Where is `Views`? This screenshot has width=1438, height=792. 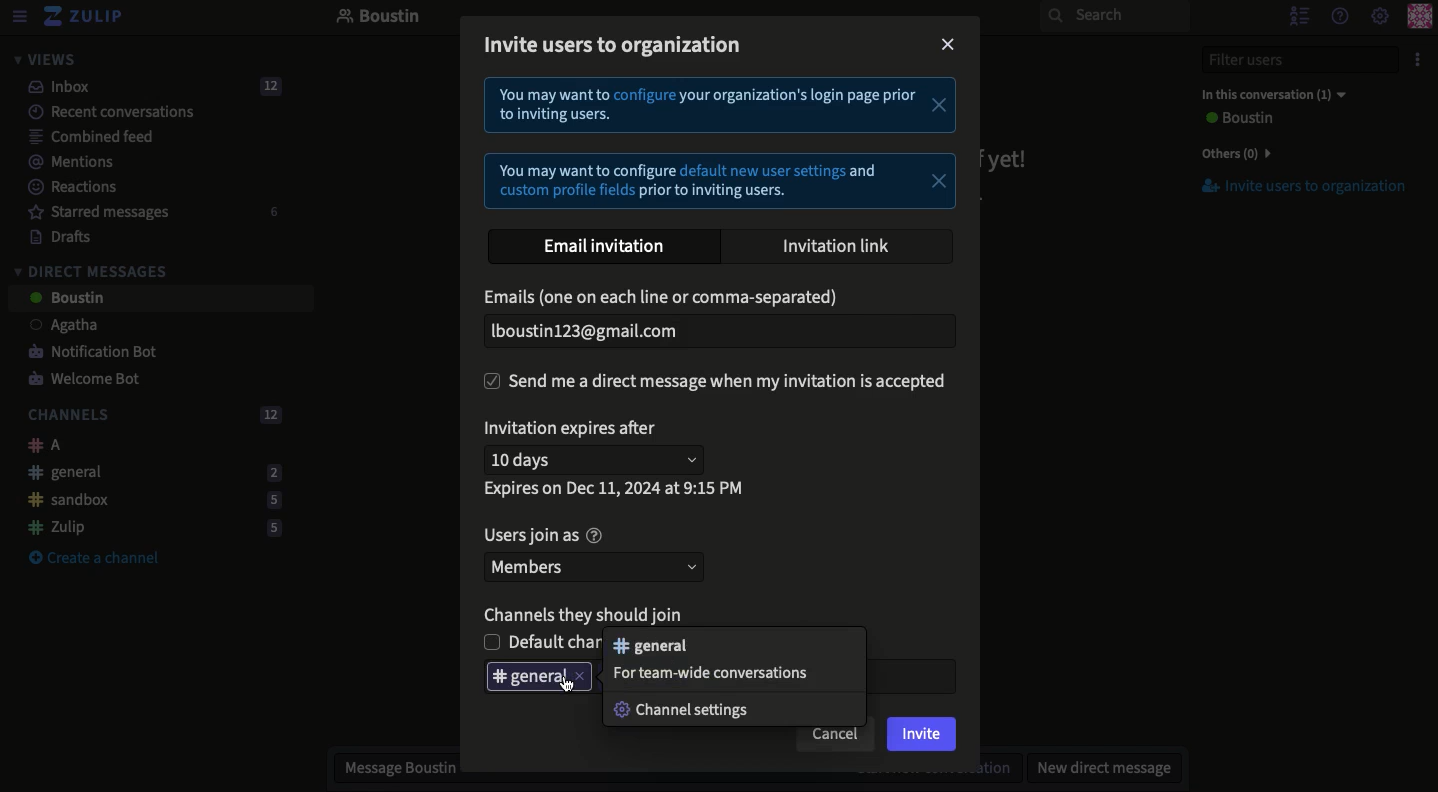
Views is located at coordinates (44, 59).